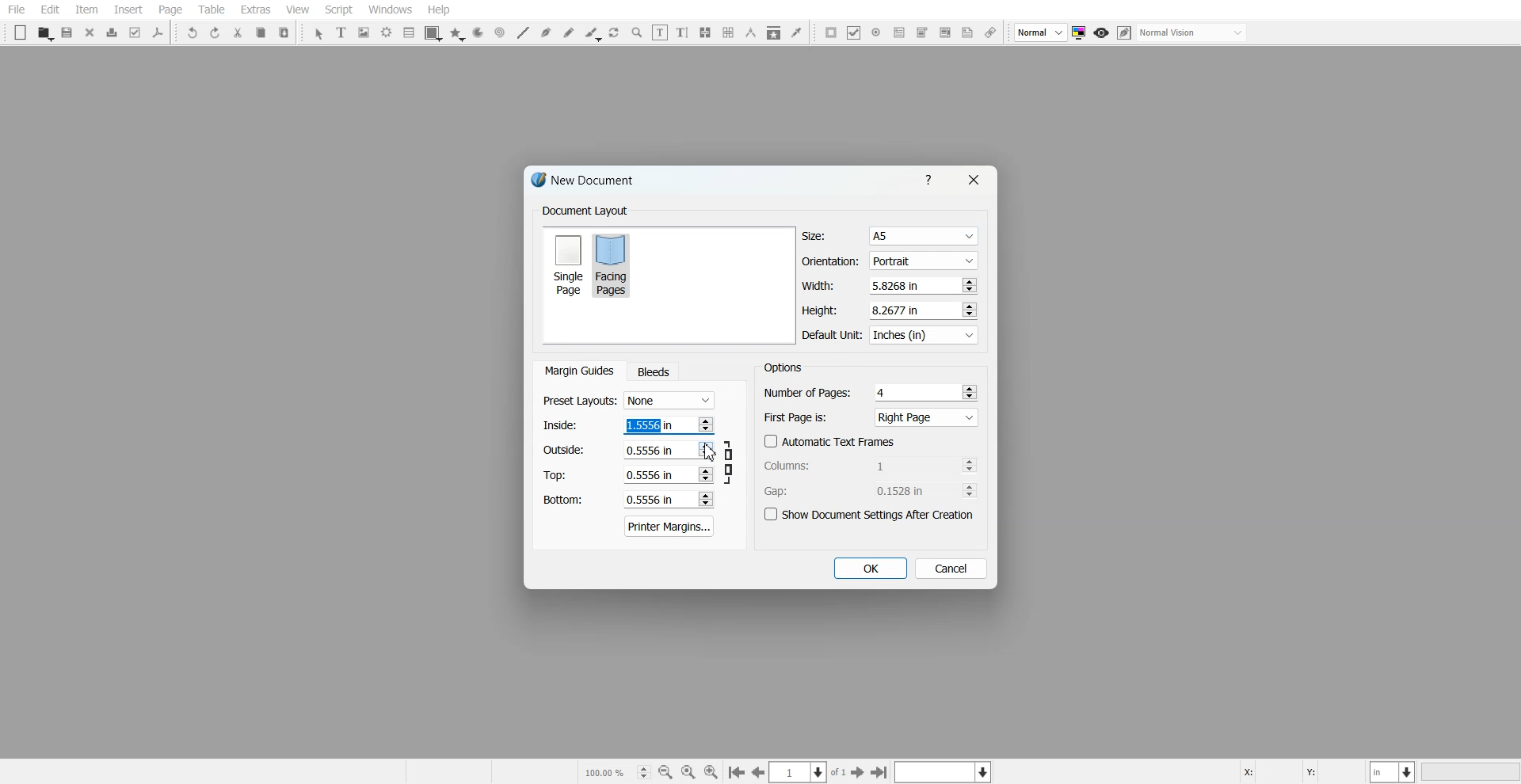 The height and width of the screenshot is (784, 1521). Describe the element at coordinates (44, 33) in the screenshot. I see `Open` at that location.